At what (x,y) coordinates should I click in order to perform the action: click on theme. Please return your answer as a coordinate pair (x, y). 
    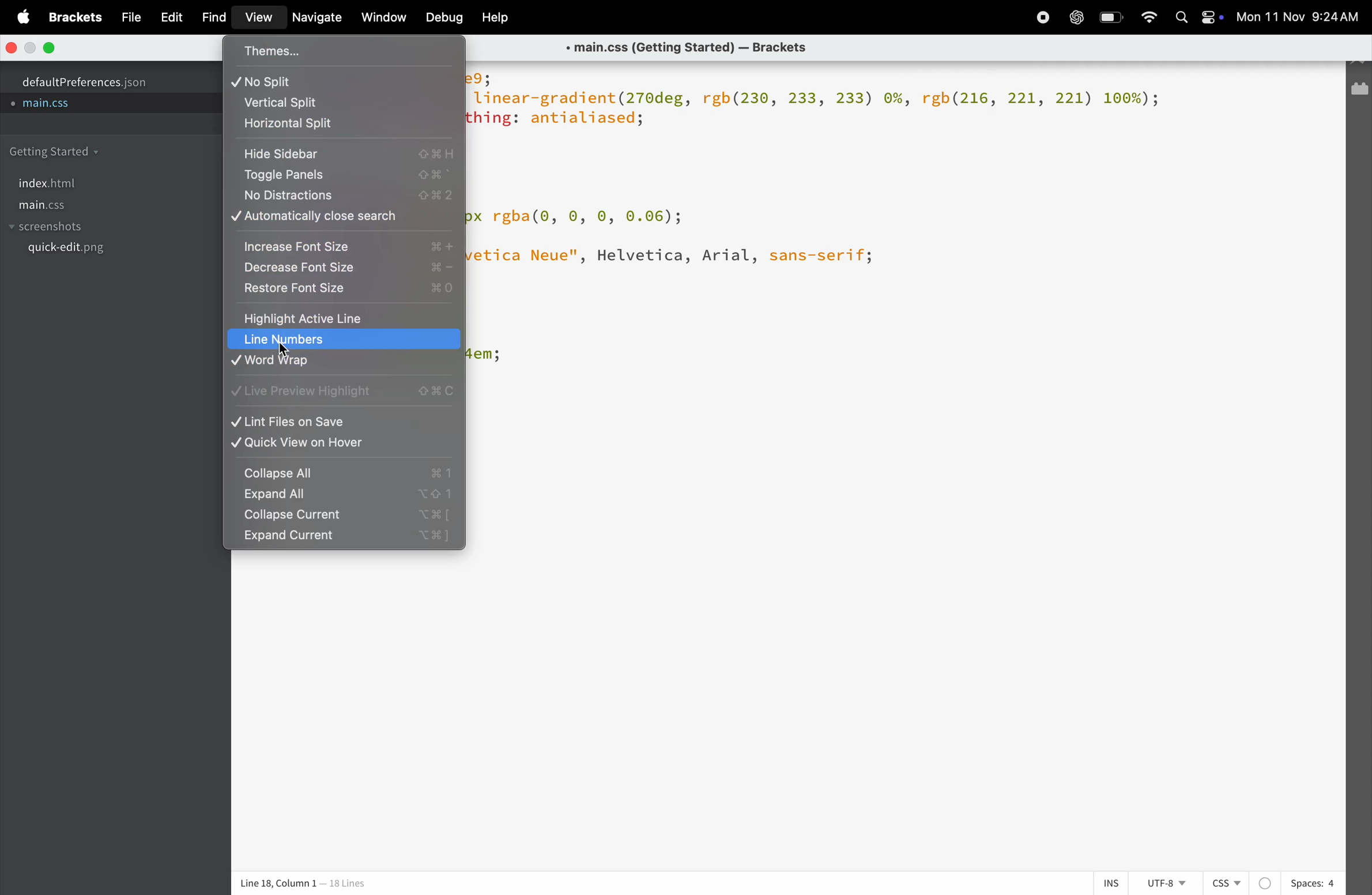
    Looking at the image, I should click on (346, 49).